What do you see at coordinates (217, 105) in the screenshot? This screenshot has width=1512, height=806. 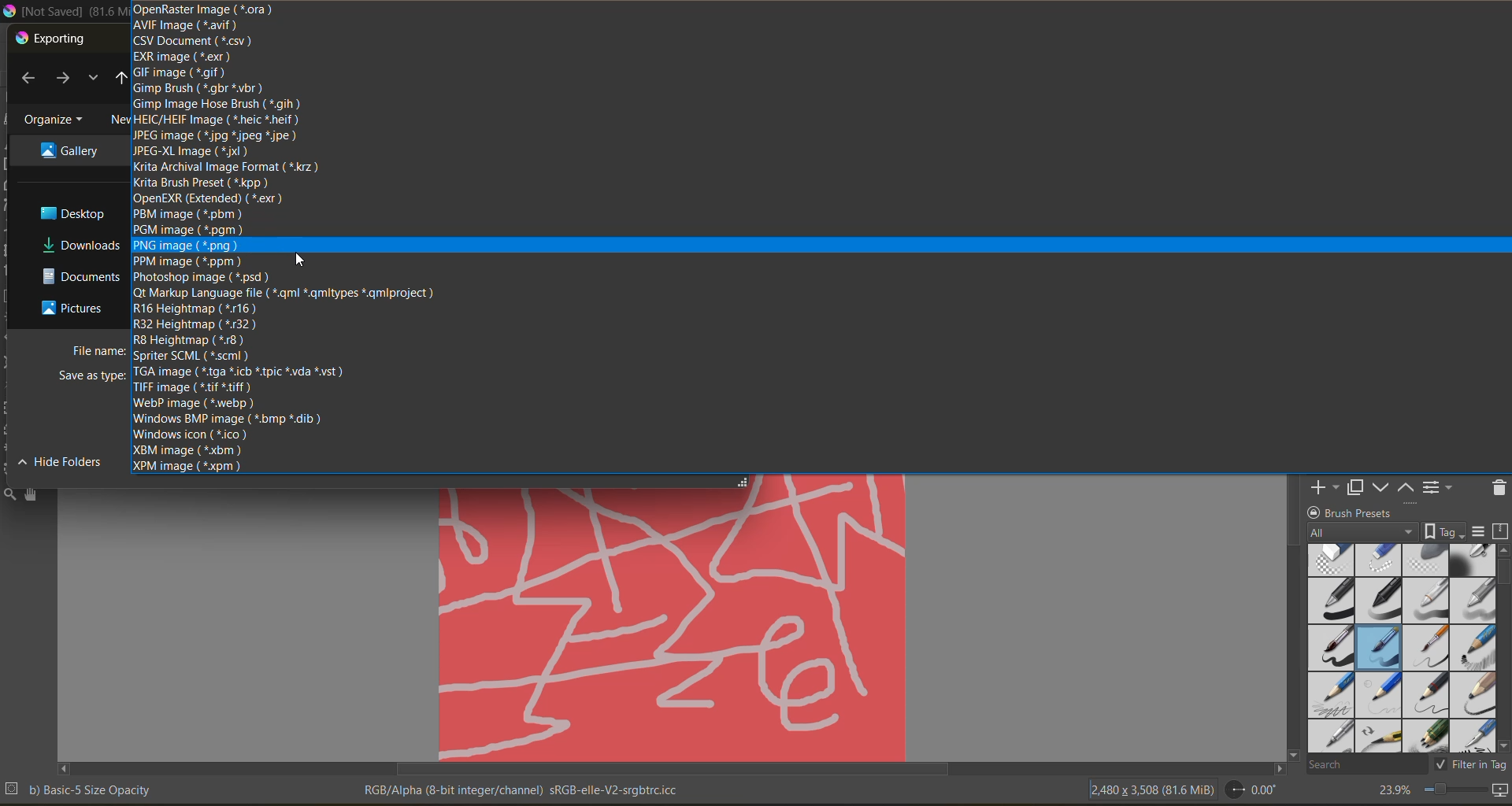 I see `gimp image hose brush` at bounding box center [217, 105].